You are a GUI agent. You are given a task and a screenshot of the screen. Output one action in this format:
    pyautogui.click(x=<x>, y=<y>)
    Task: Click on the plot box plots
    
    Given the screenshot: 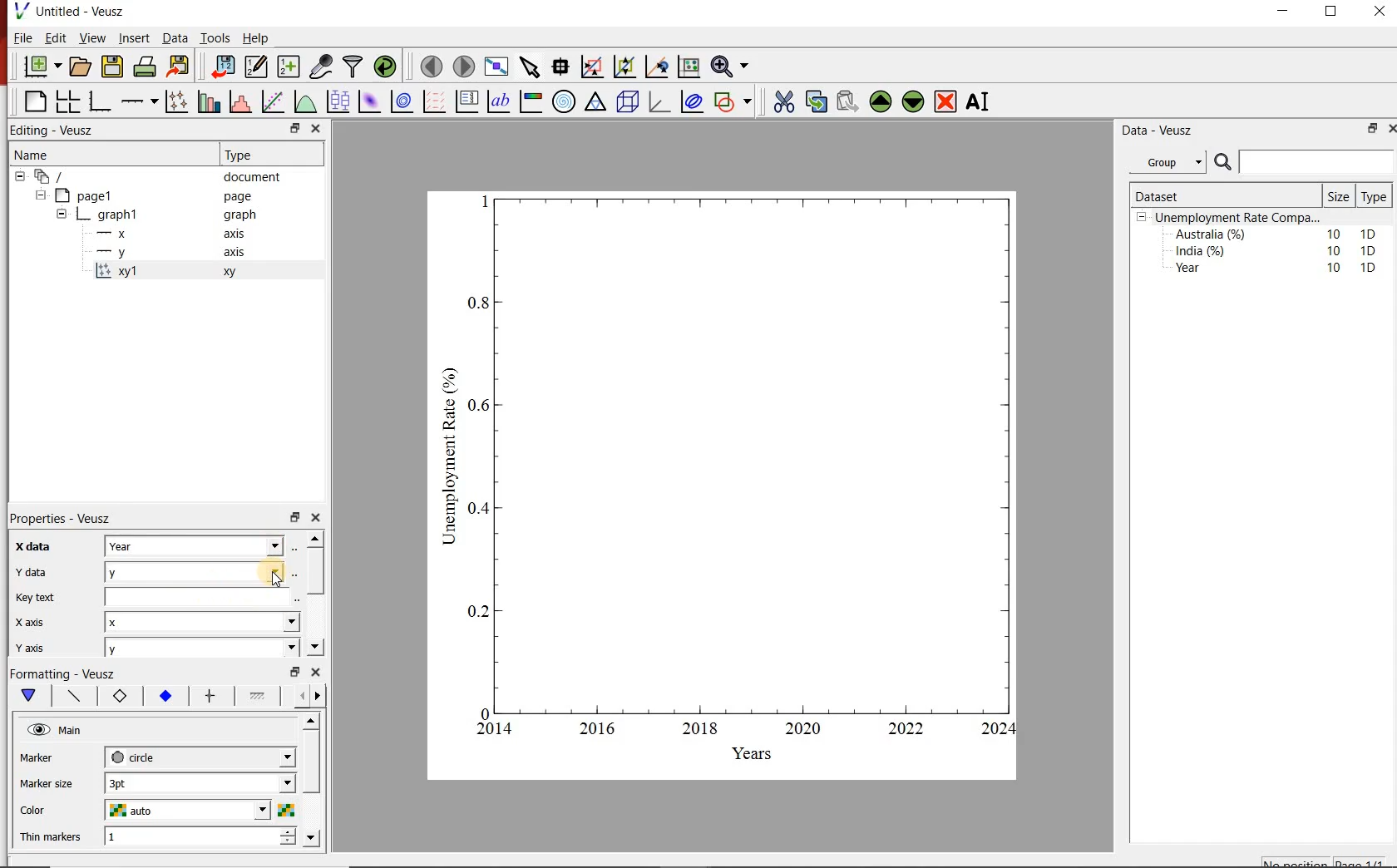 What is the action you would take?
    pyautogui.click(x=338, y=101)
    